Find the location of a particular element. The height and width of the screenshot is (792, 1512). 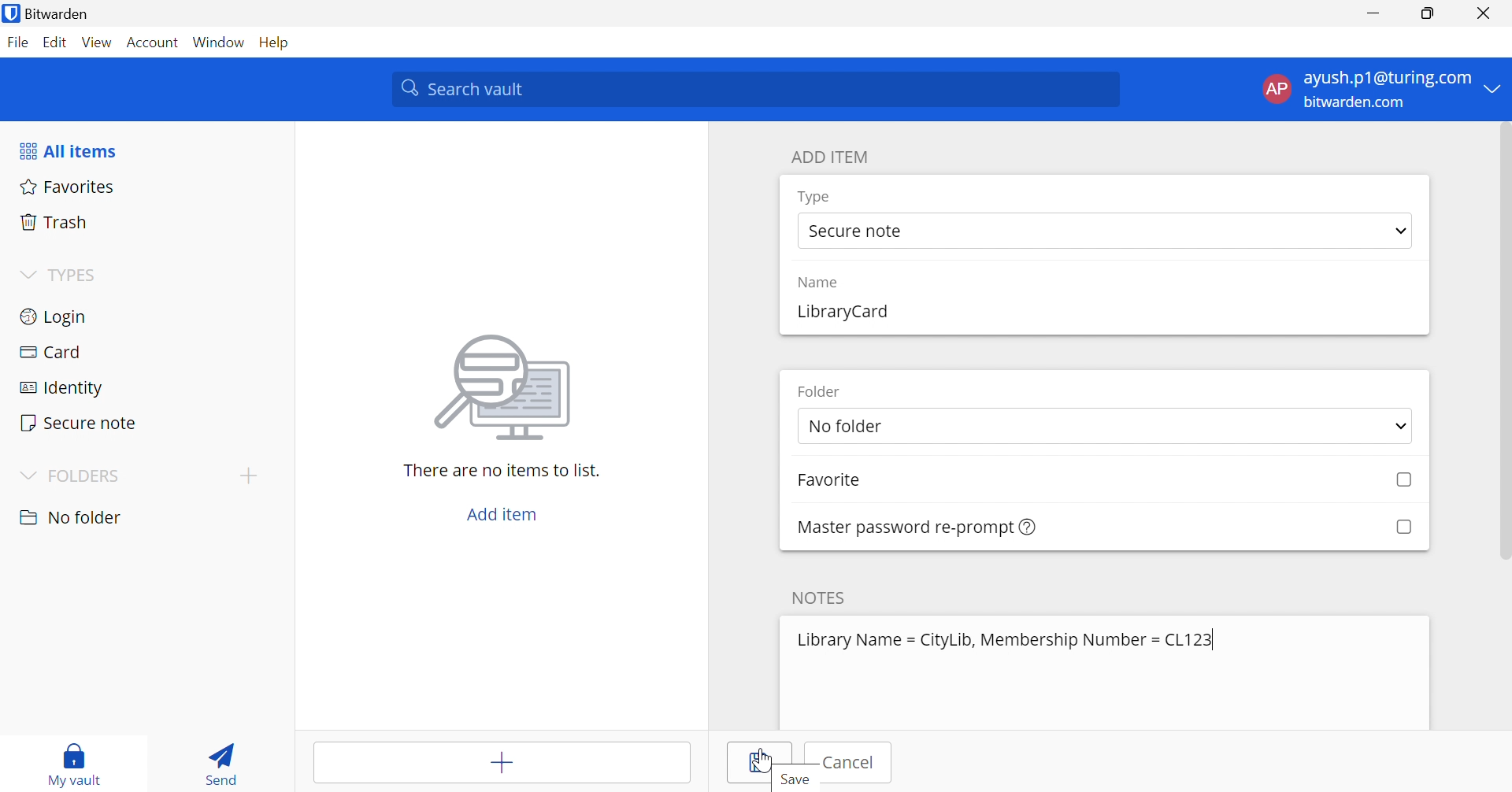

account menu is located at coordinates (1379, 90).